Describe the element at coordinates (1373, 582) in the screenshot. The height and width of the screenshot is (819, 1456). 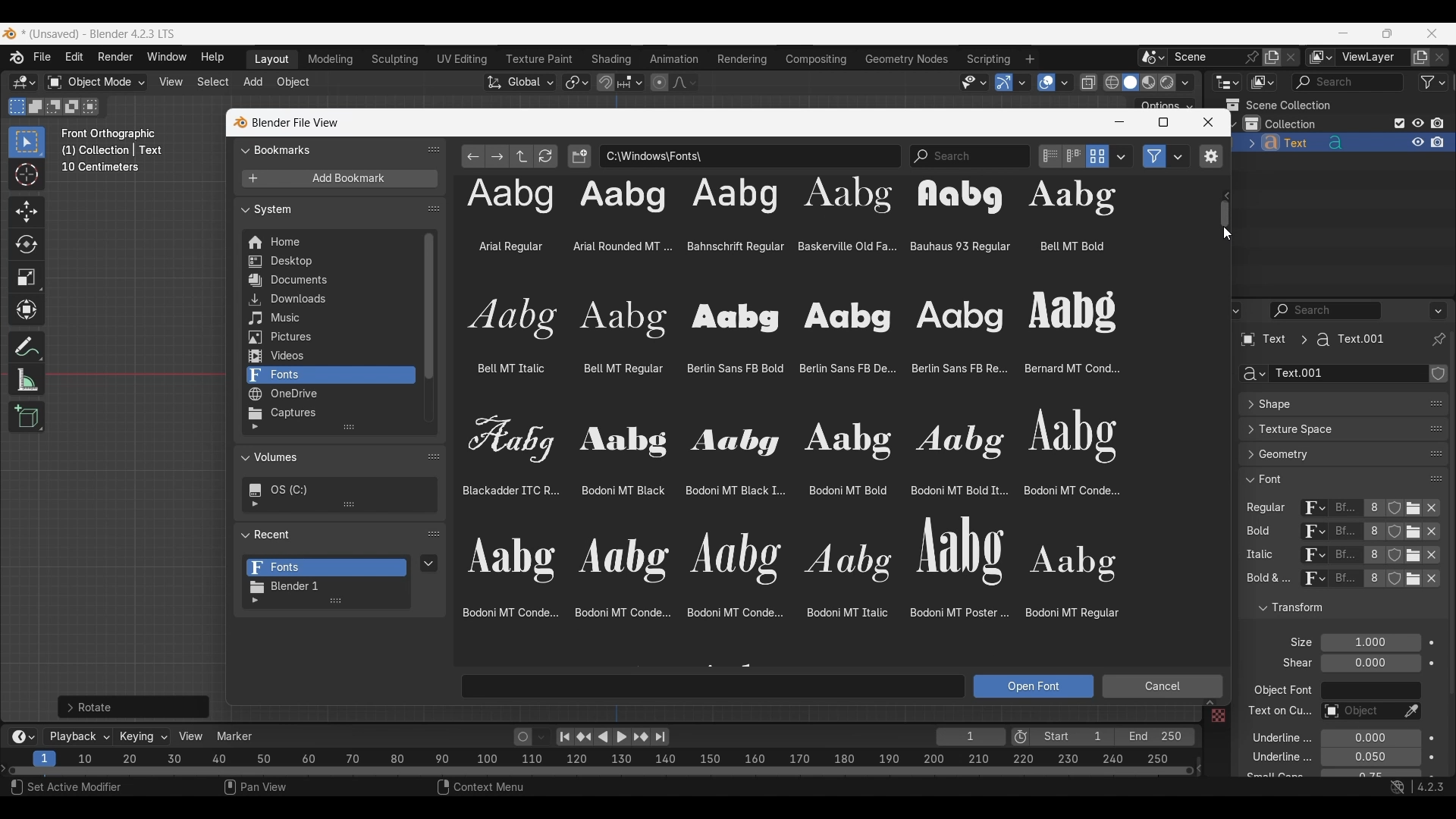
I see `Display number of users` at that location.